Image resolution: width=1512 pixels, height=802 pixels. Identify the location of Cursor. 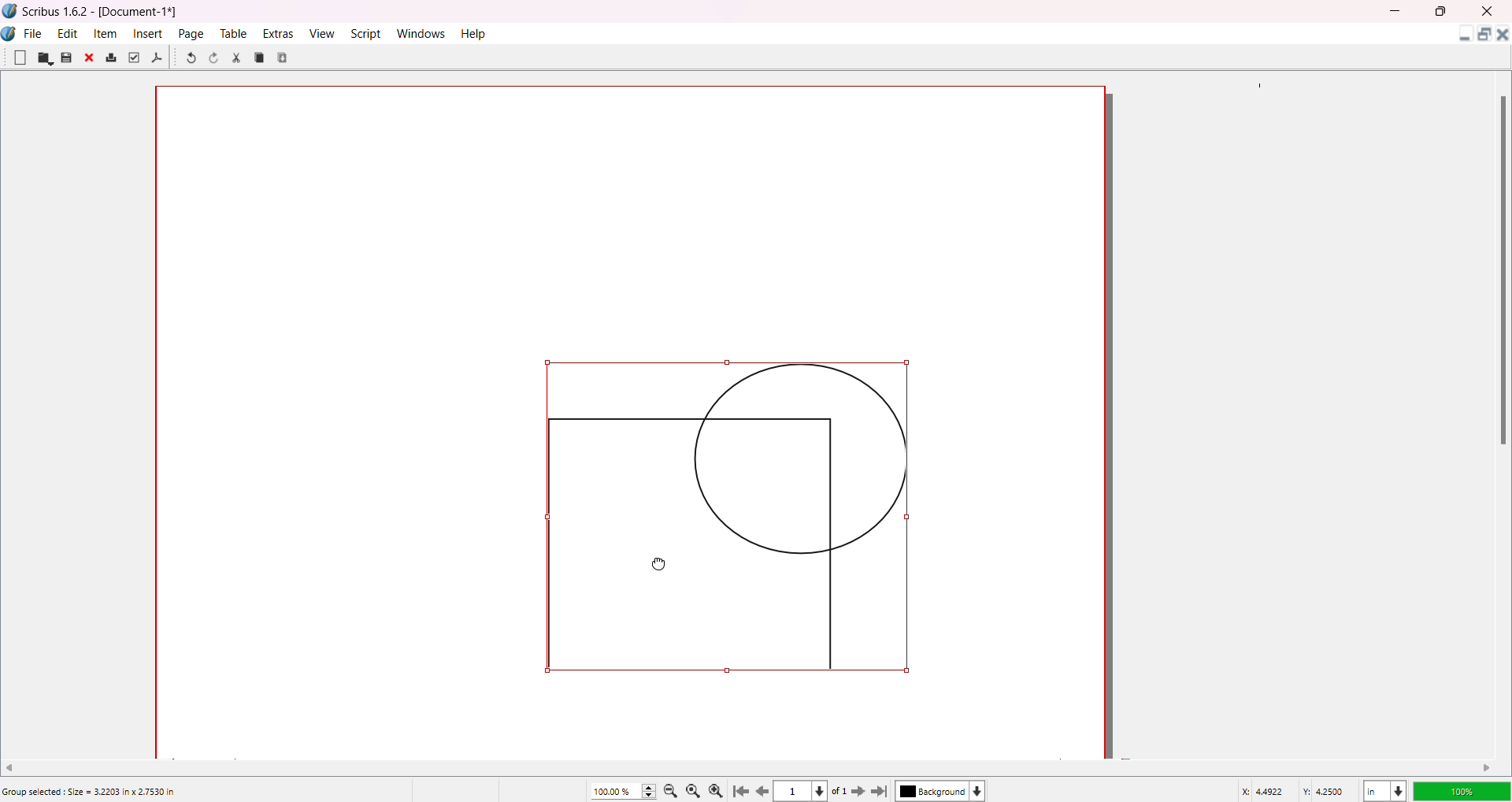
(658, 565).